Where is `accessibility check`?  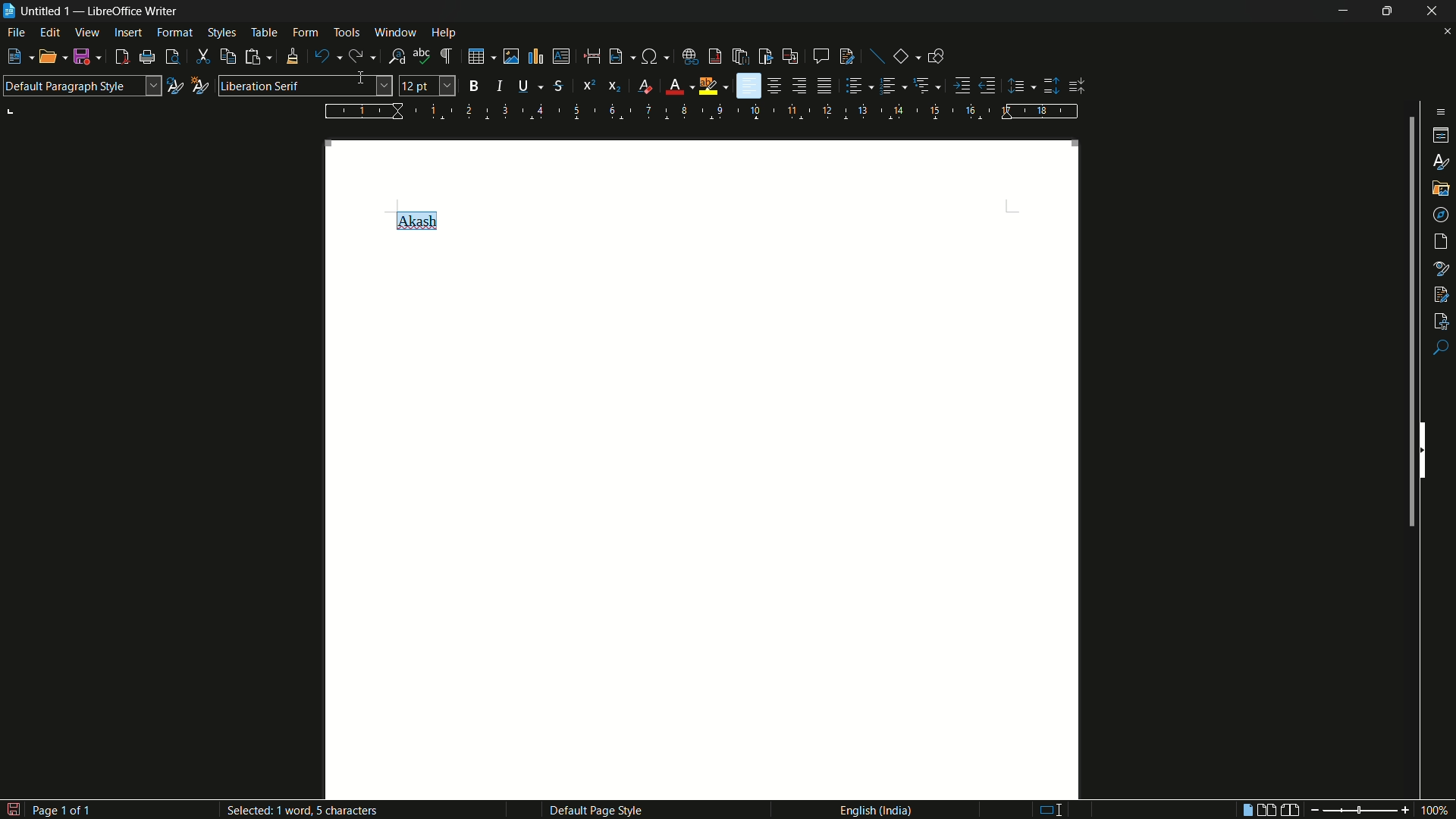 accessibility check is located at coordinates (1442, 319).